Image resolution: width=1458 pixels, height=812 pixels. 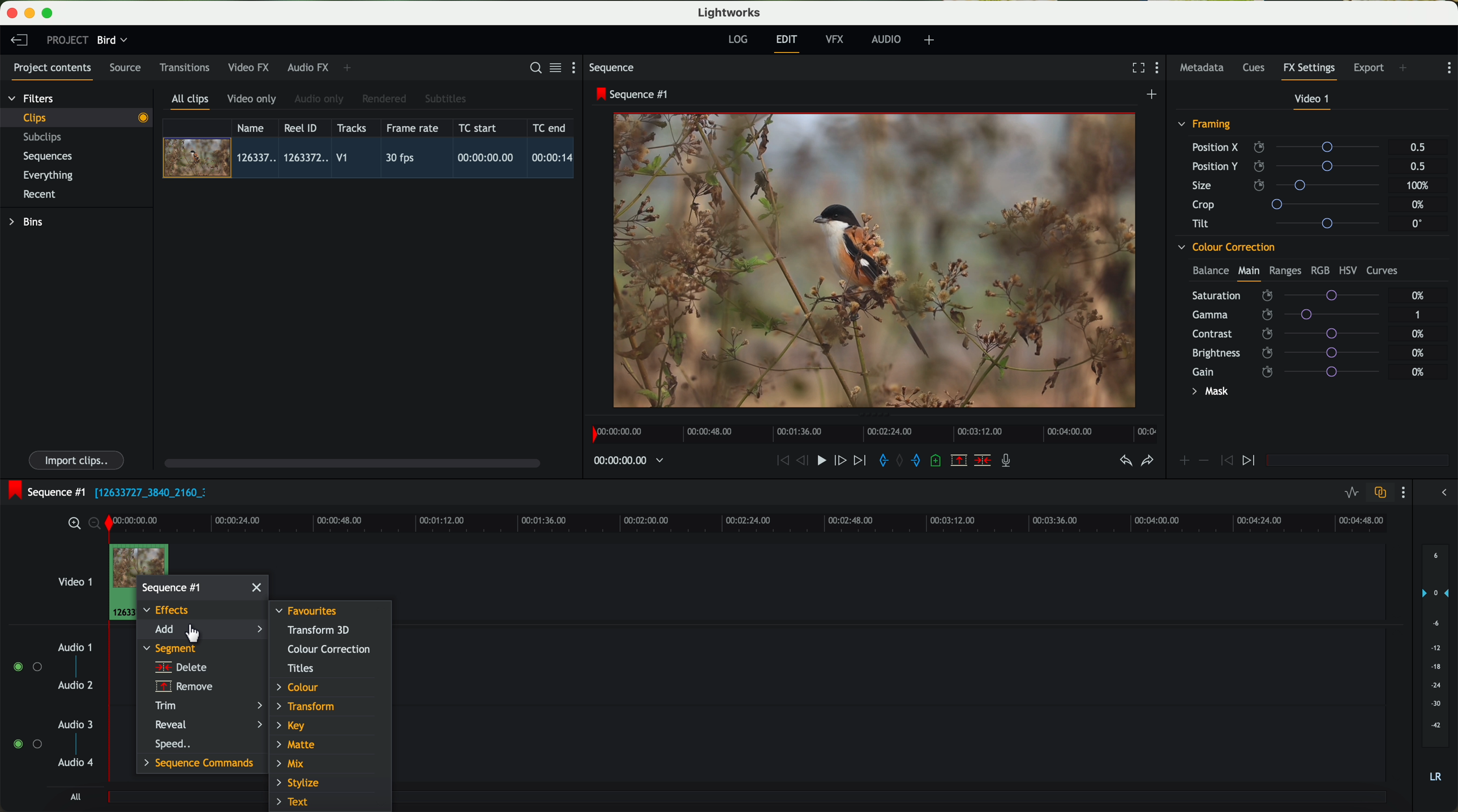 I want to click on video 1, so click(x=74, y=579).